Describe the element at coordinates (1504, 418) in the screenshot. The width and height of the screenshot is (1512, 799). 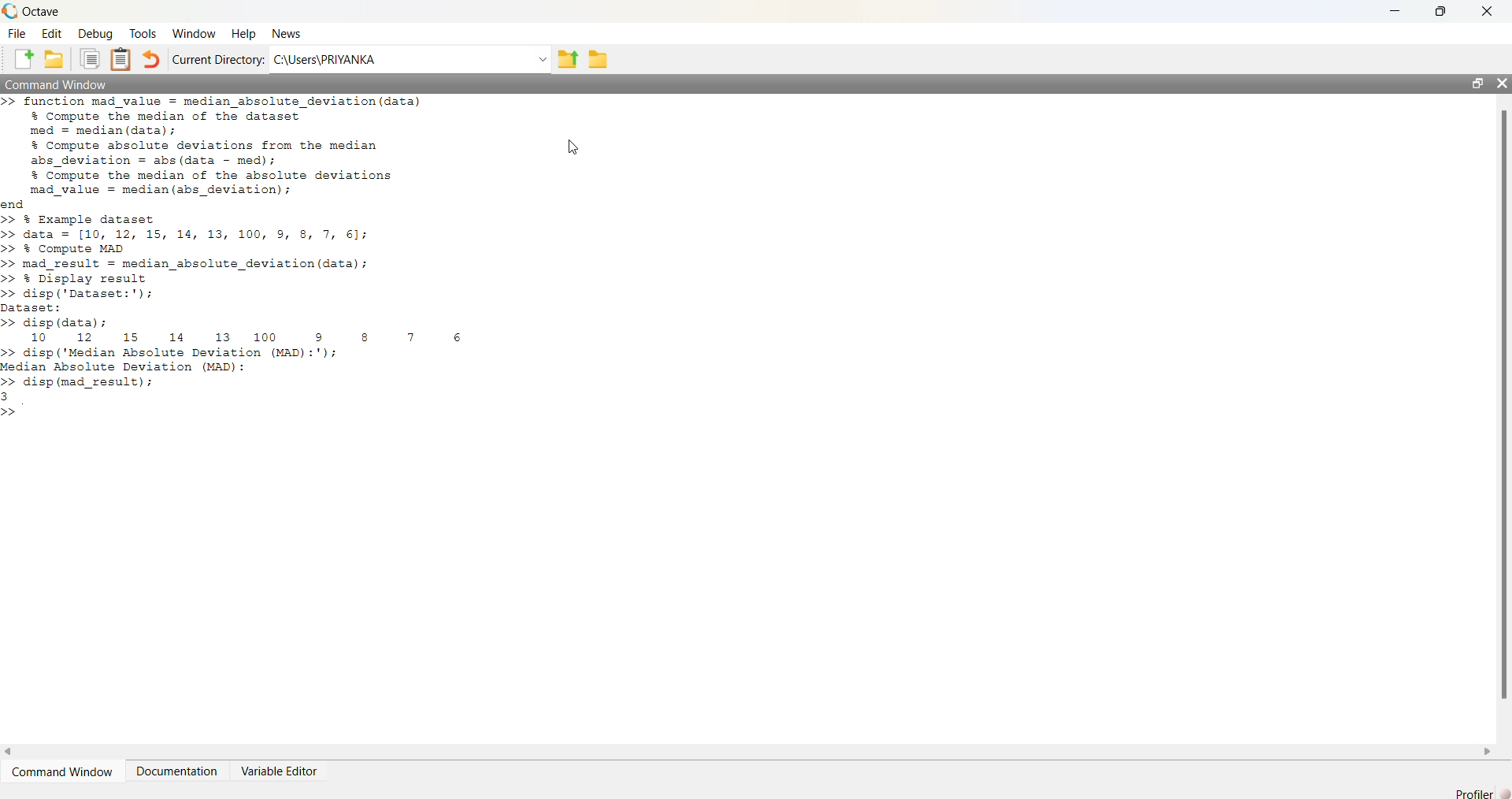
I see `vertical scroll bar` at that location.